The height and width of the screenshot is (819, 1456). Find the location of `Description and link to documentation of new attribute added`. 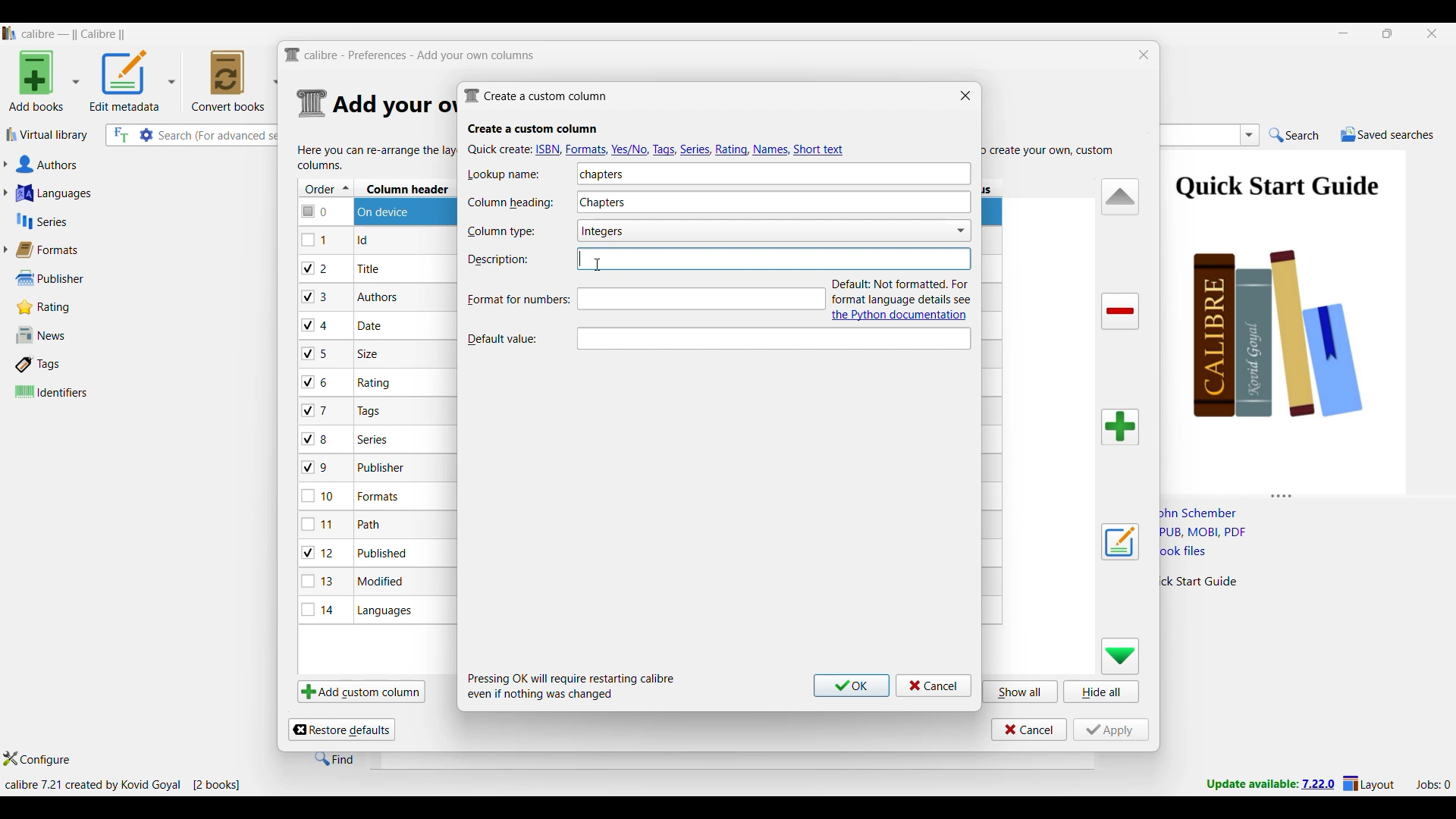

Description and link to documentation of new attribute added is located at coordinates (905, 299).